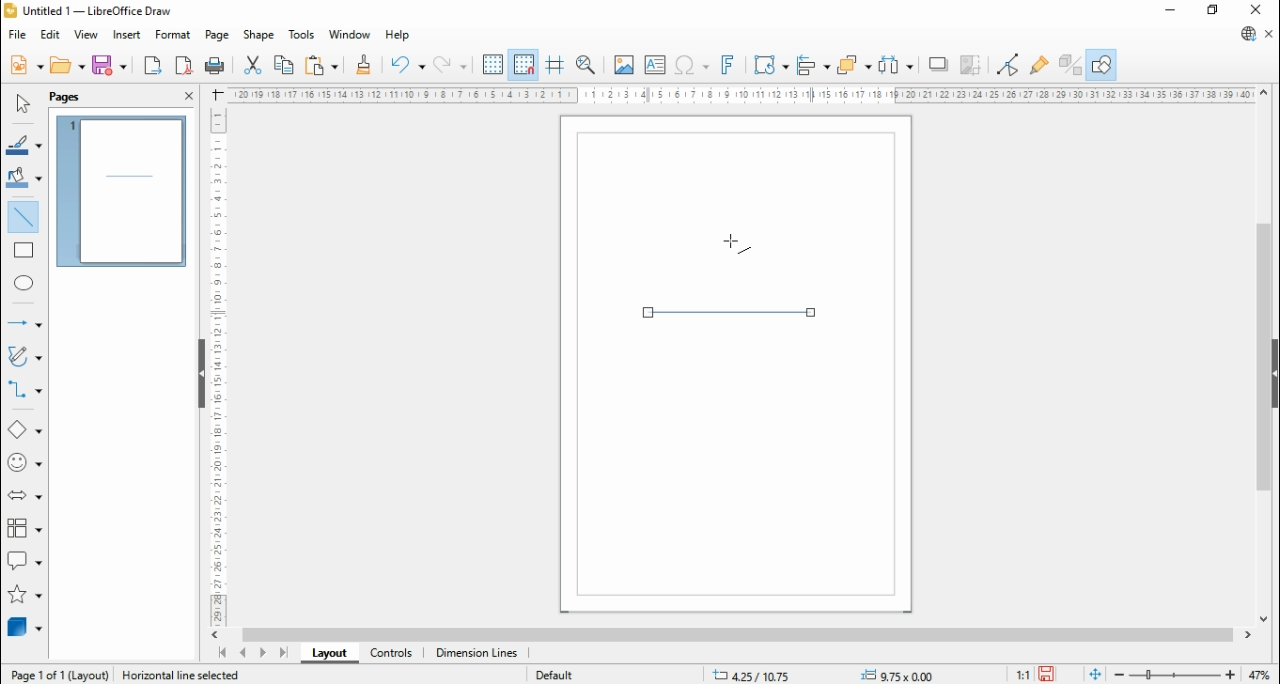  I want to click on scroll bar, so click(1262, 357).